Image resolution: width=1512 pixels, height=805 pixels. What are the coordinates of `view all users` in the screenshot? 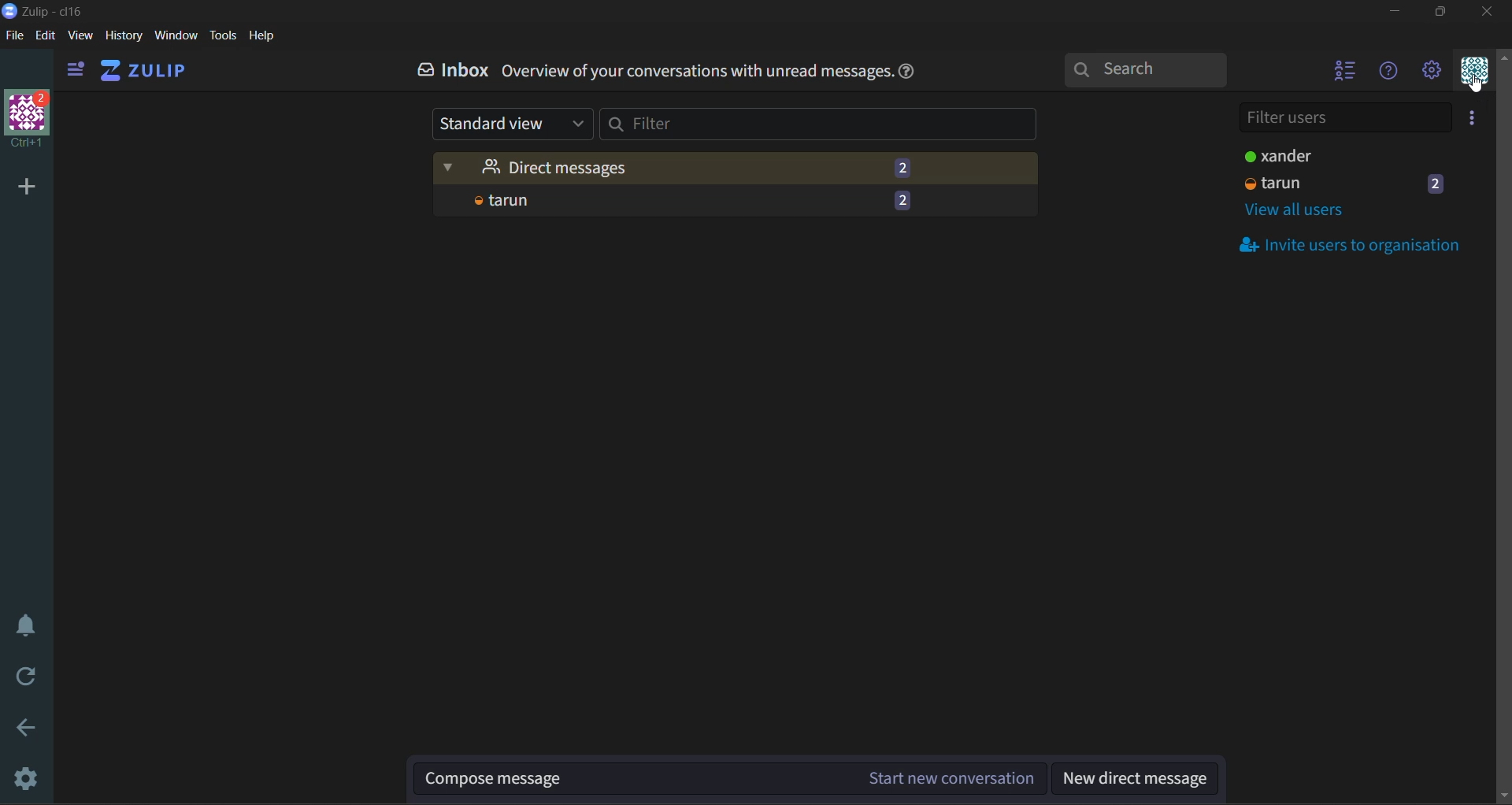 It's located at (1308, 214).